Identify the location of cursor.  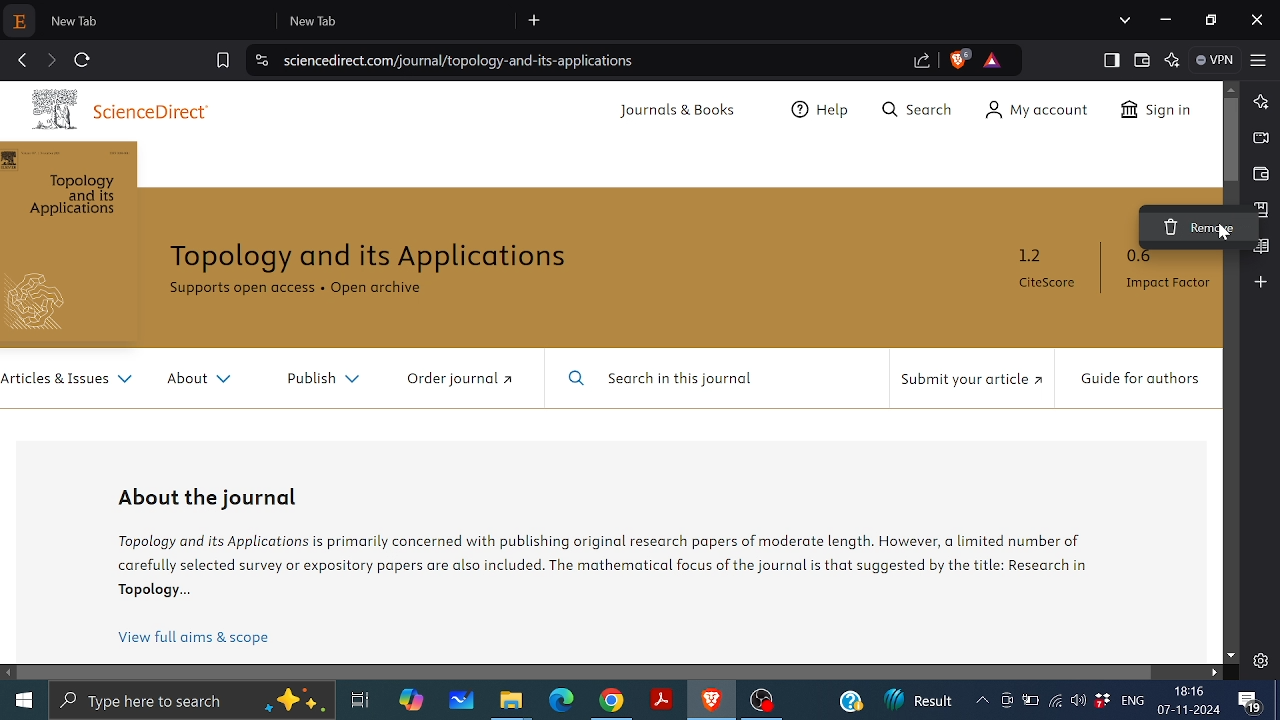
(1259, 218).